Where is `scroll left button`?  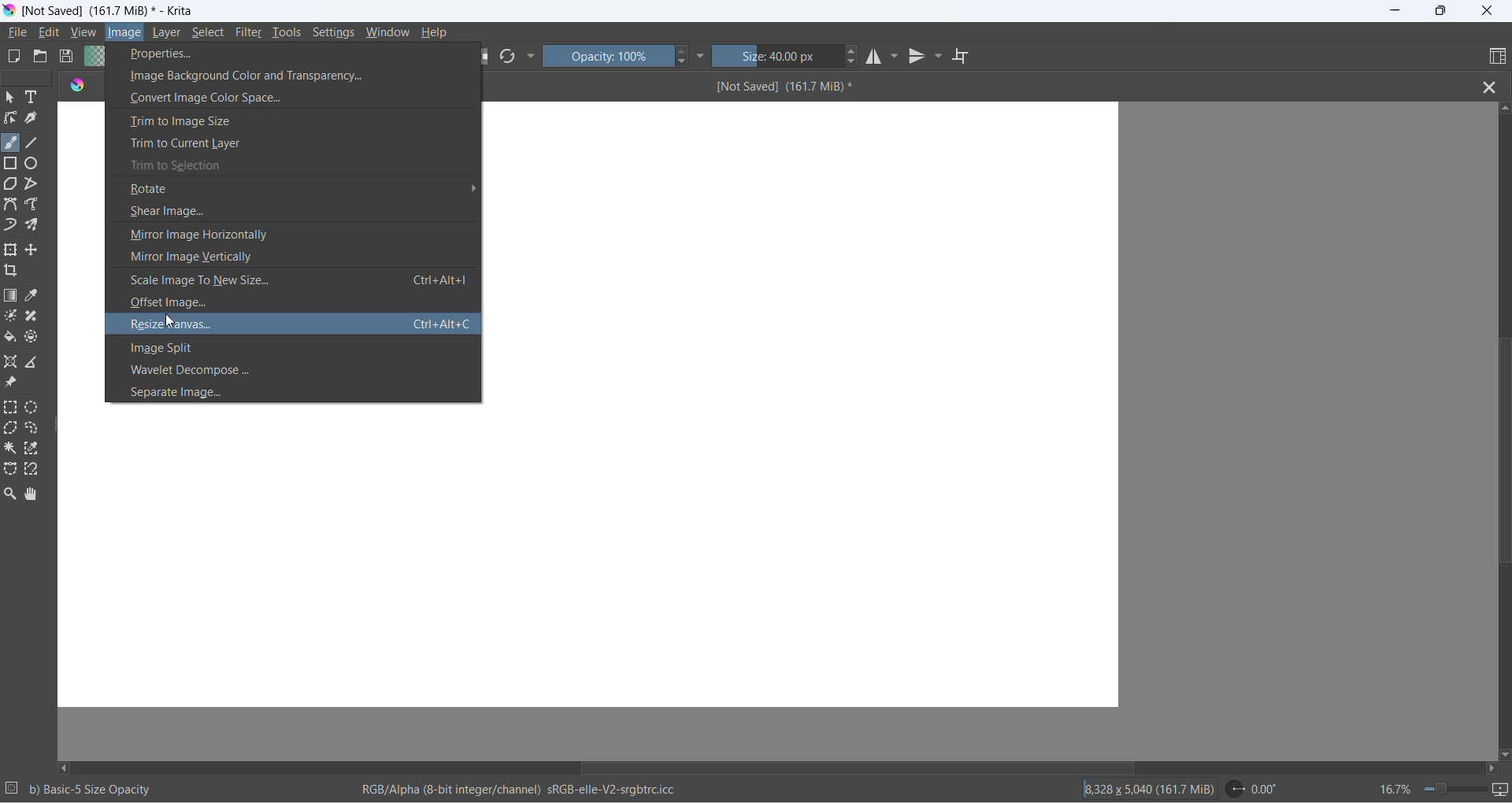 scroll left button is located at coordinates (67, 767).